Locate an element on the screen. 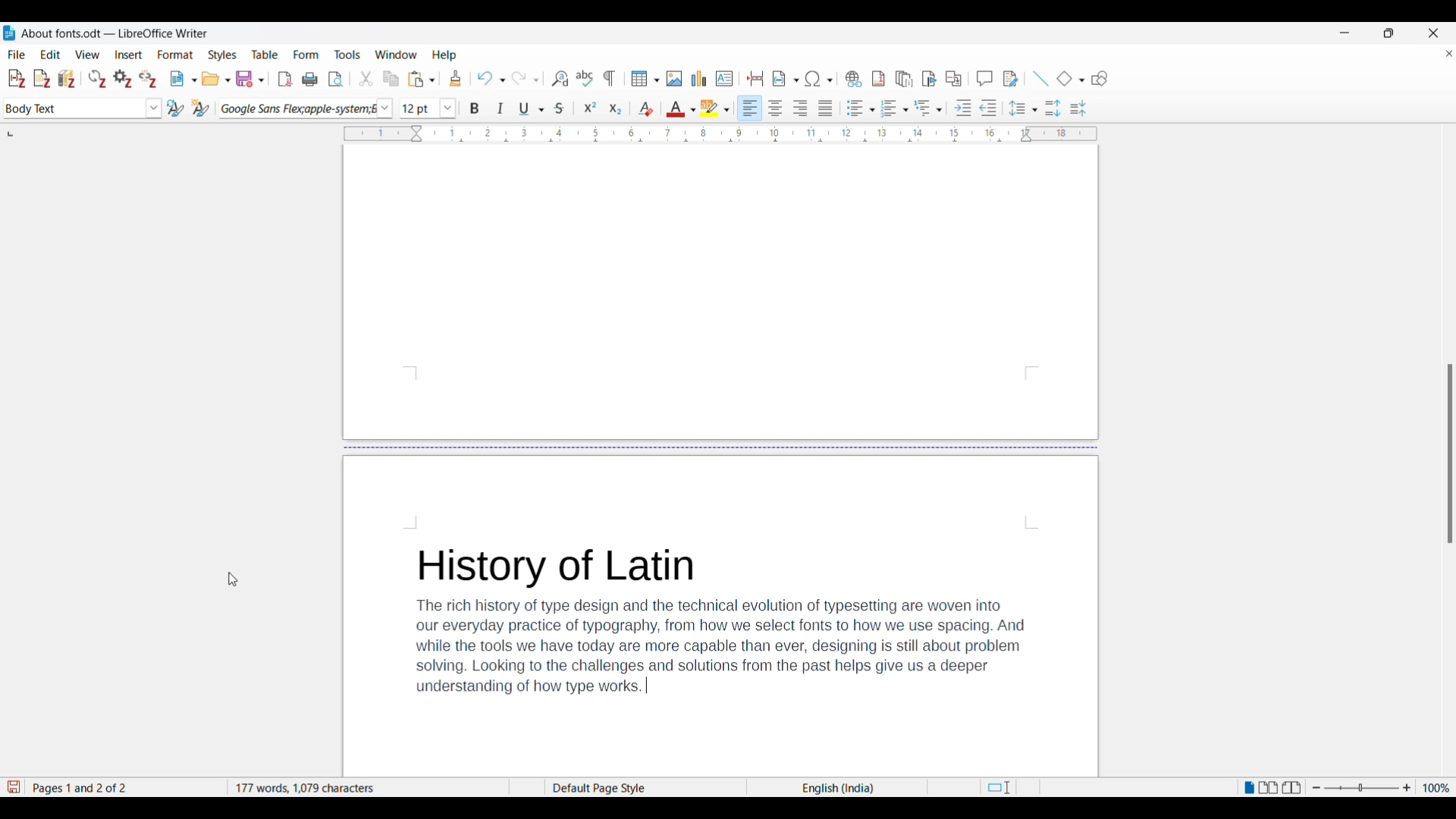 The width and height of the screenshot is (1456, 819). Add/Edit bibliography is located at coordinates (67, 79).